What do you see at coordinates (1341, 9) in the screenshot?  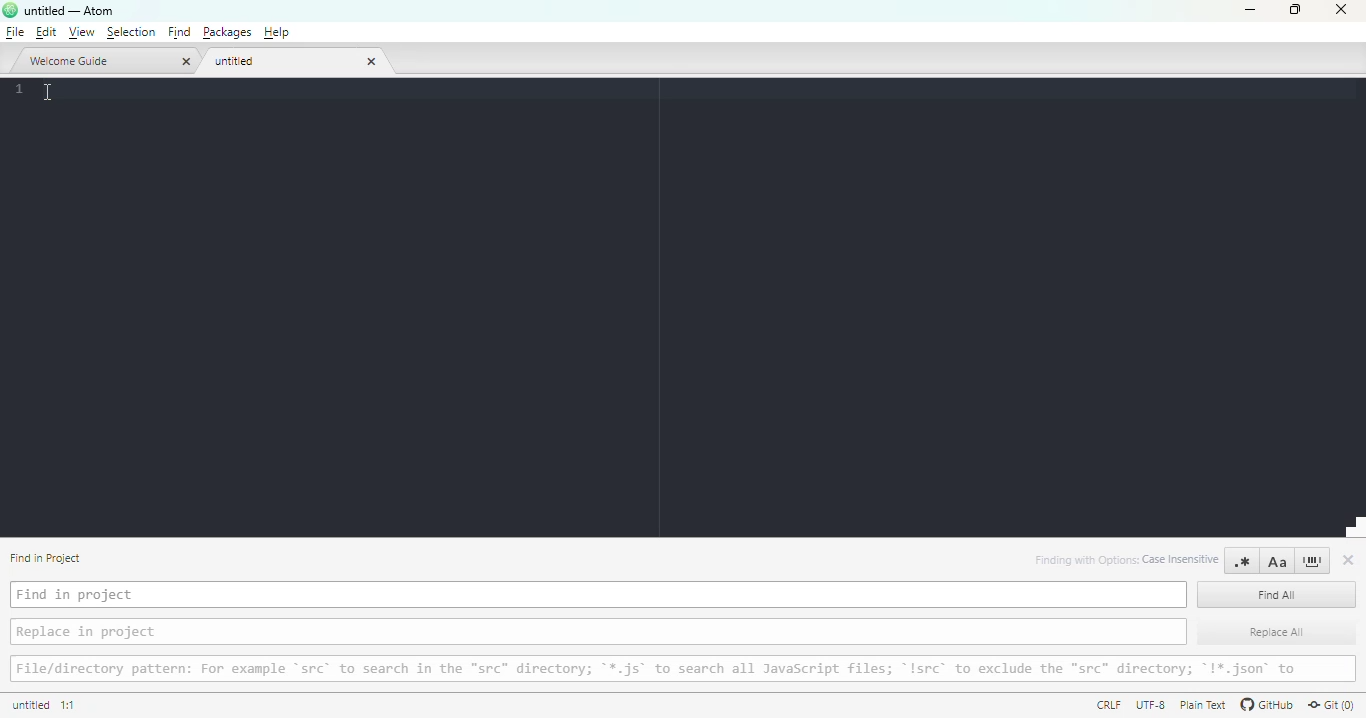 I see `close` at bounding box center [1341, 9].